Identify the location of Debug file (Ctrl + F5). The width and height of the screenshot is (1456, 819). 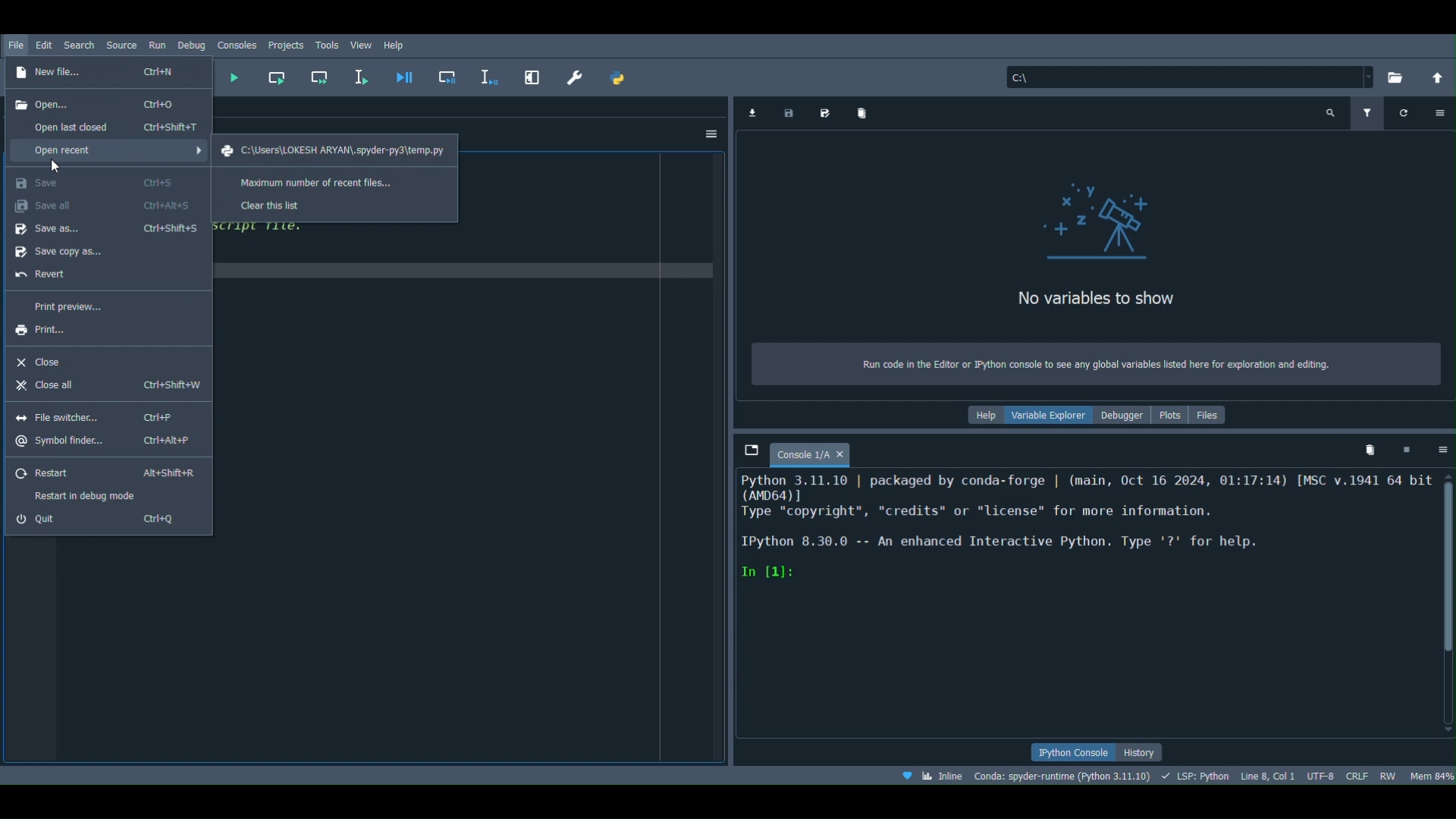
(402, 74).